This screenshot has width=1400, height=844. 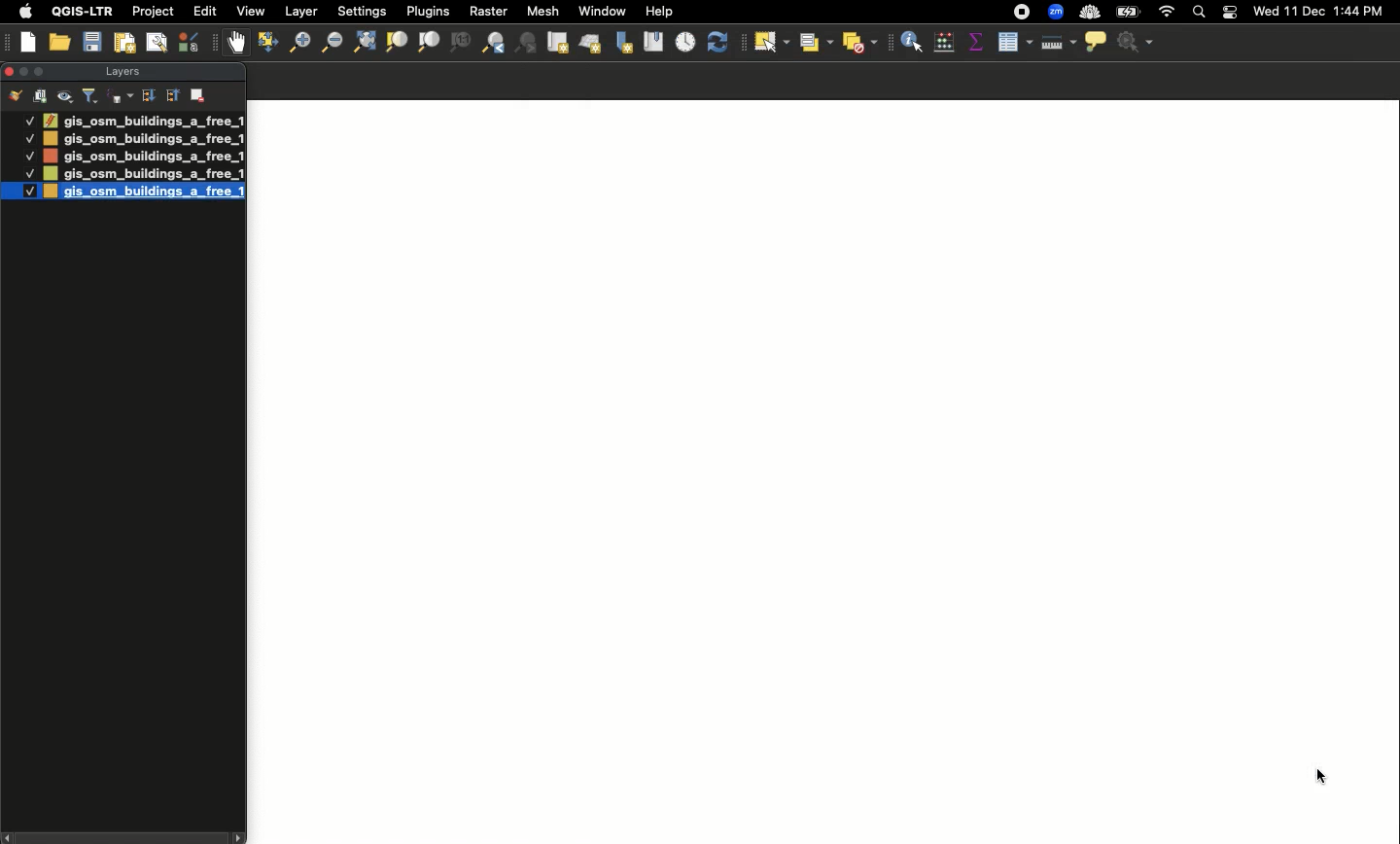 What do you see at coordinates (144, 194) in the screenshot?
I see `gis_osm_buildings_a_free_1` at bounding box center [144, 194].